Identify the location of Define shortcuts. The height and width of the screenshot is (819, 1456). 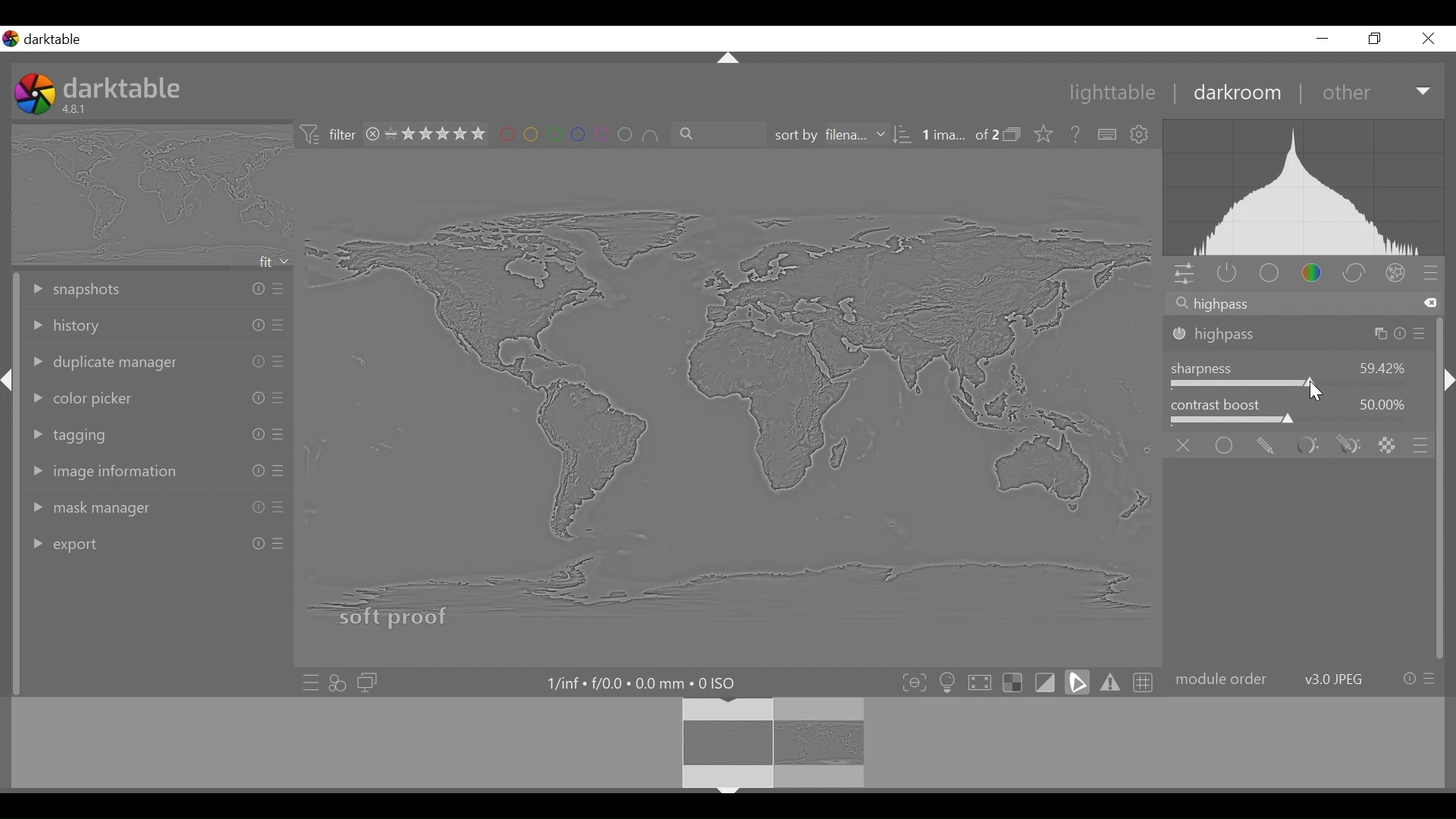
(1107, 135).